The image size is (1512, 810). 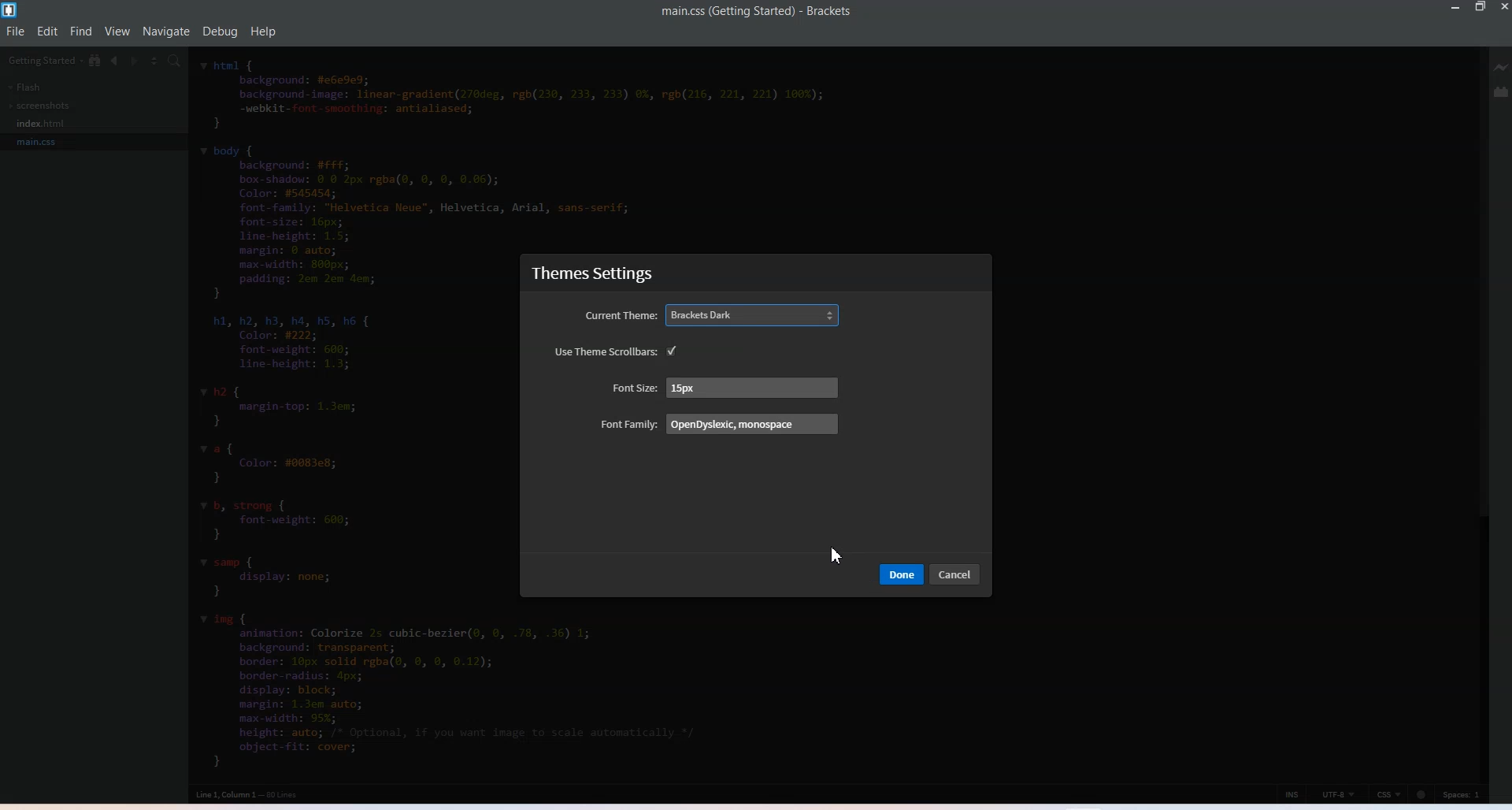 What do you see at coordinates (220, 32) in the screenshot?
I see `Debug` at bounding box center [220, 32].